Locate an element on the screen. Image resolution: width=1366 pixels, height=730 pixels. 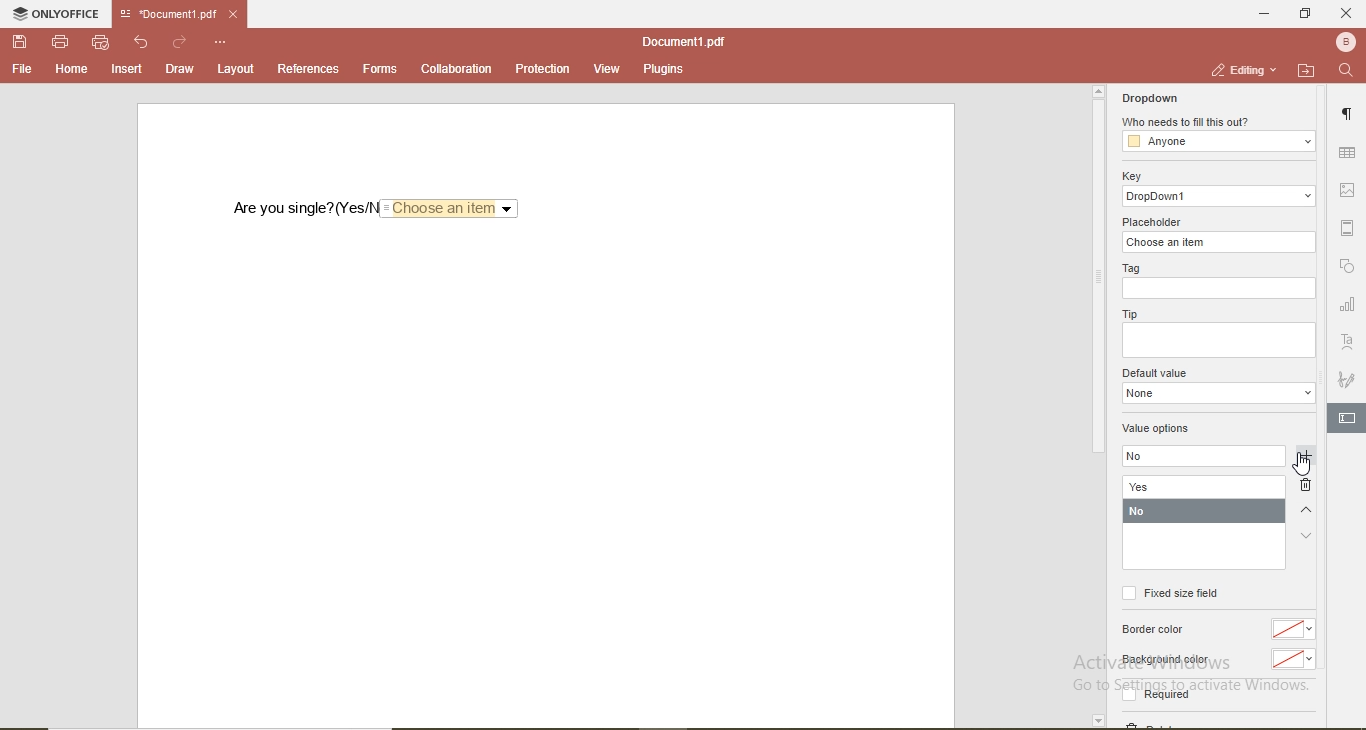
references is located at coordinates (309, 68).